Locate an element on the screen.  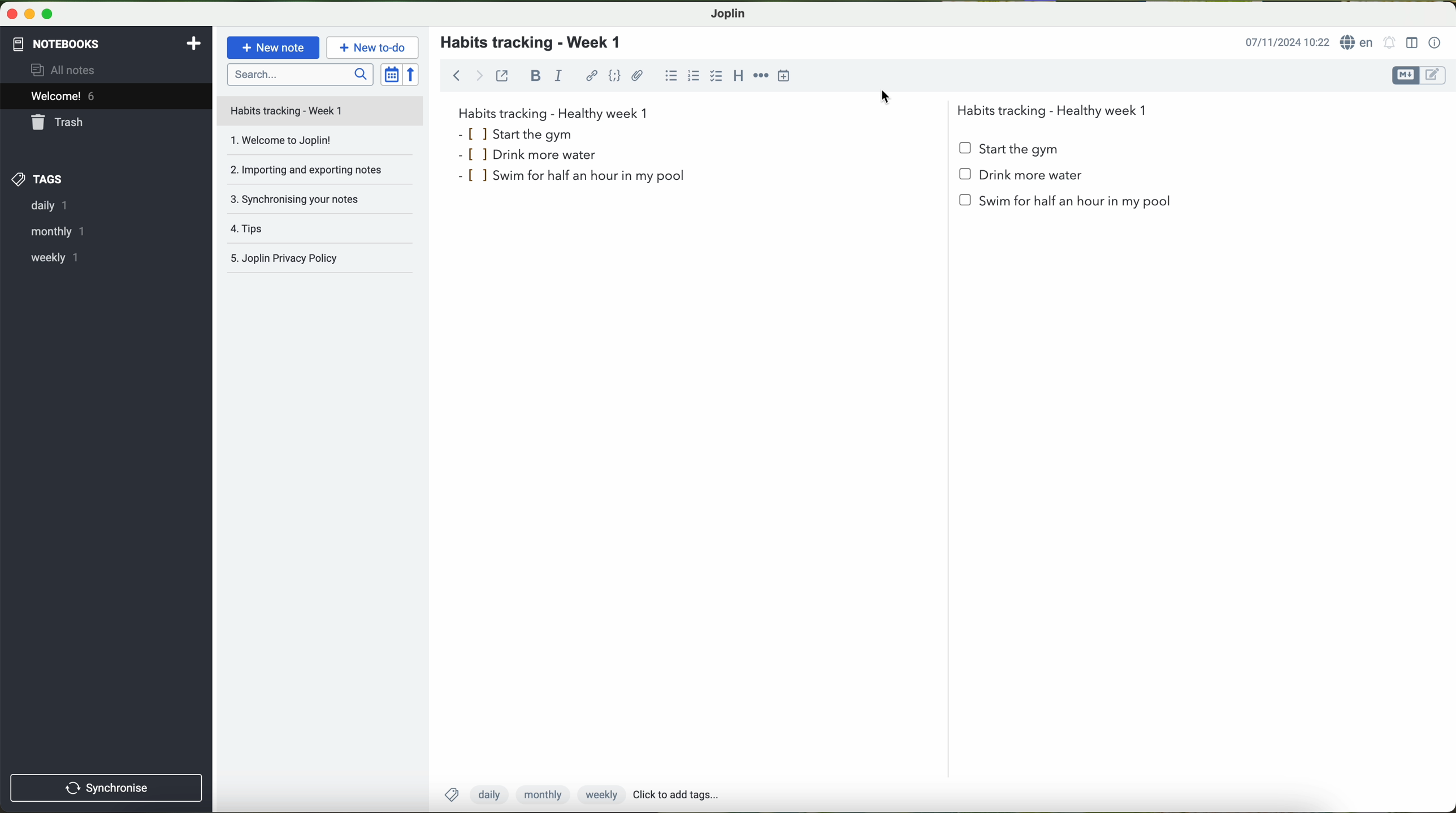
bulleted list is located at coordinates (671, 75).